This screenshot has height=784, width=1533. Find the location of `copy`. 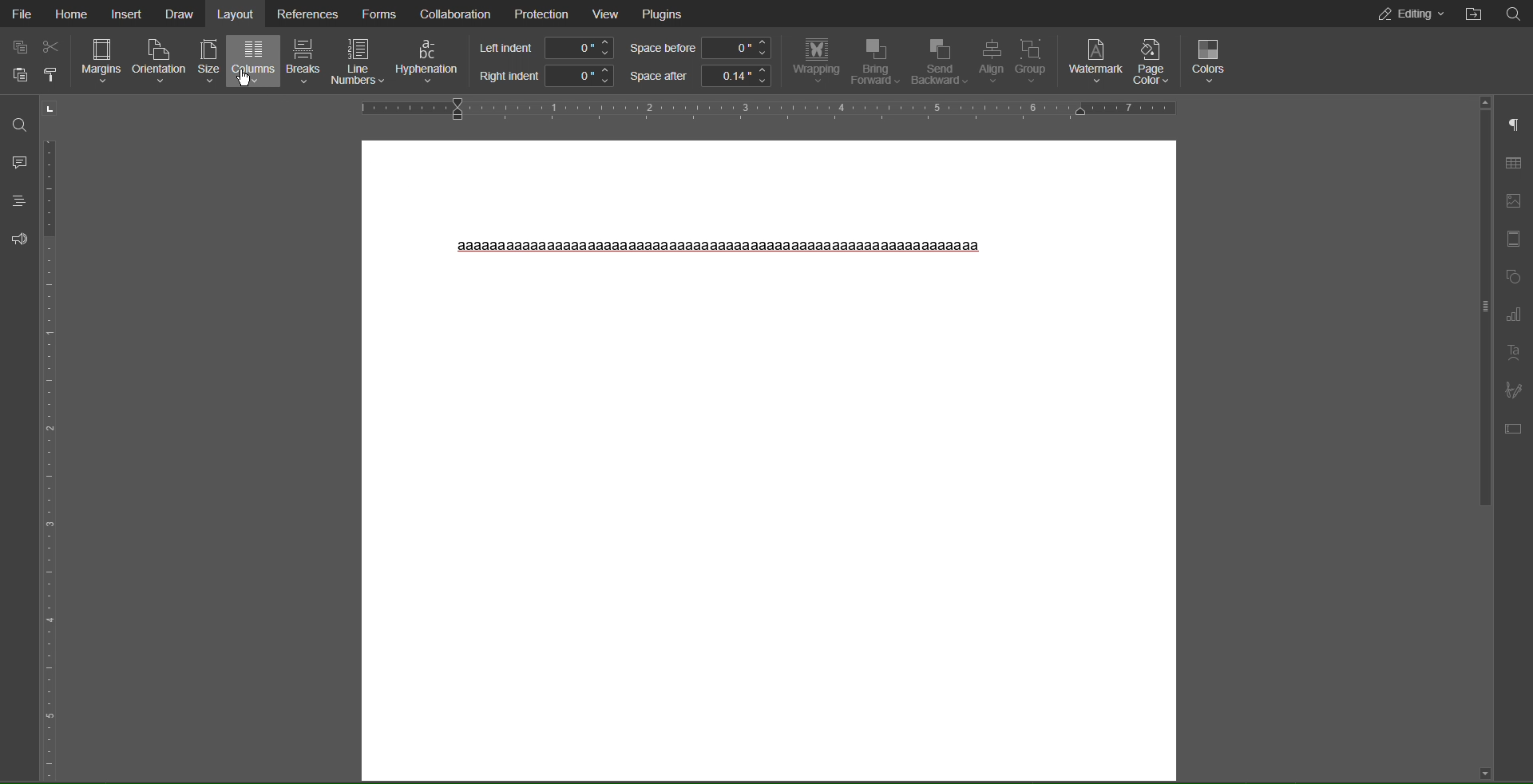

copy is located at coordinates (18, 46).